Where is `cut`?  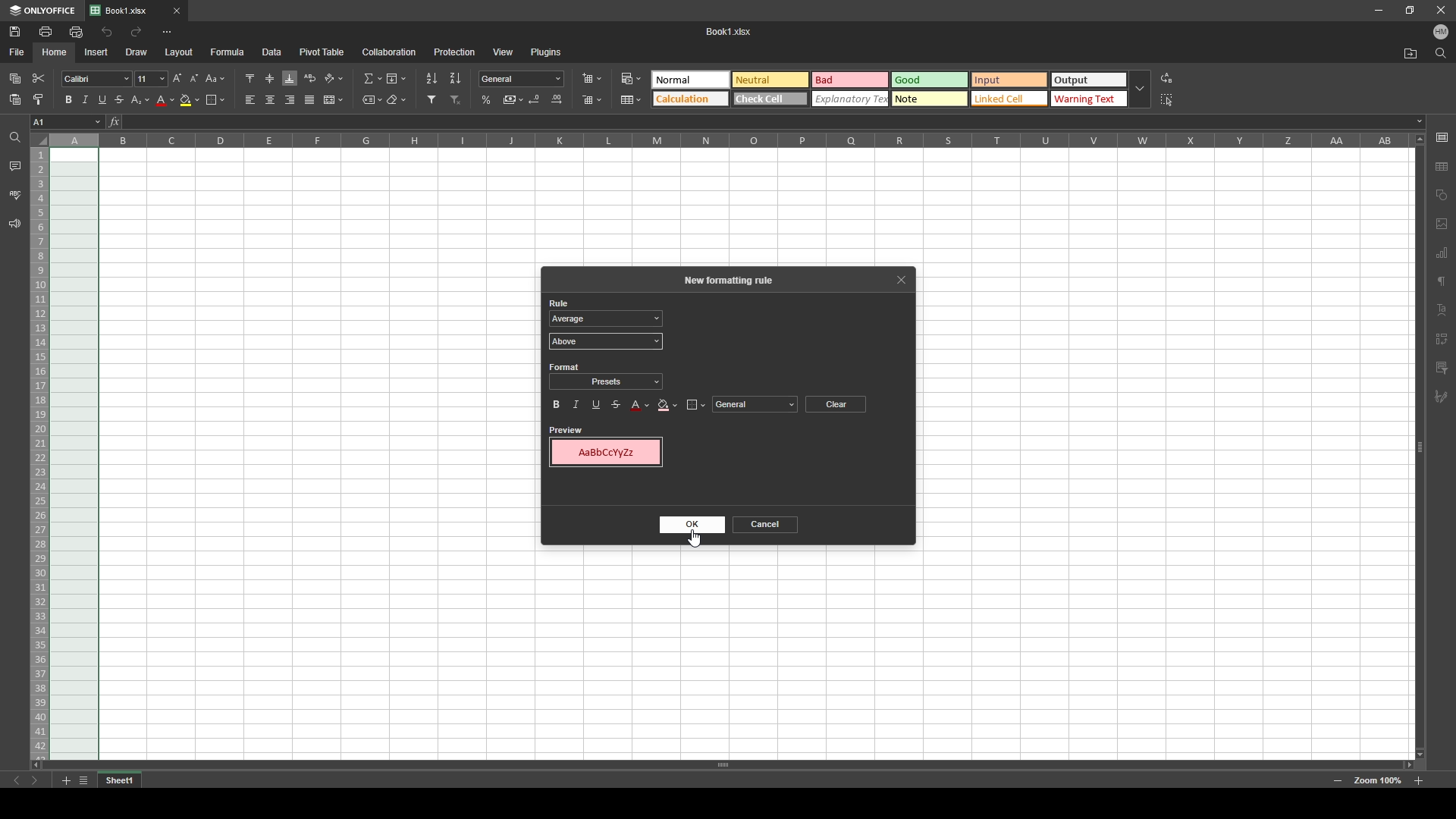
cut is located at coordinates (39, 79).